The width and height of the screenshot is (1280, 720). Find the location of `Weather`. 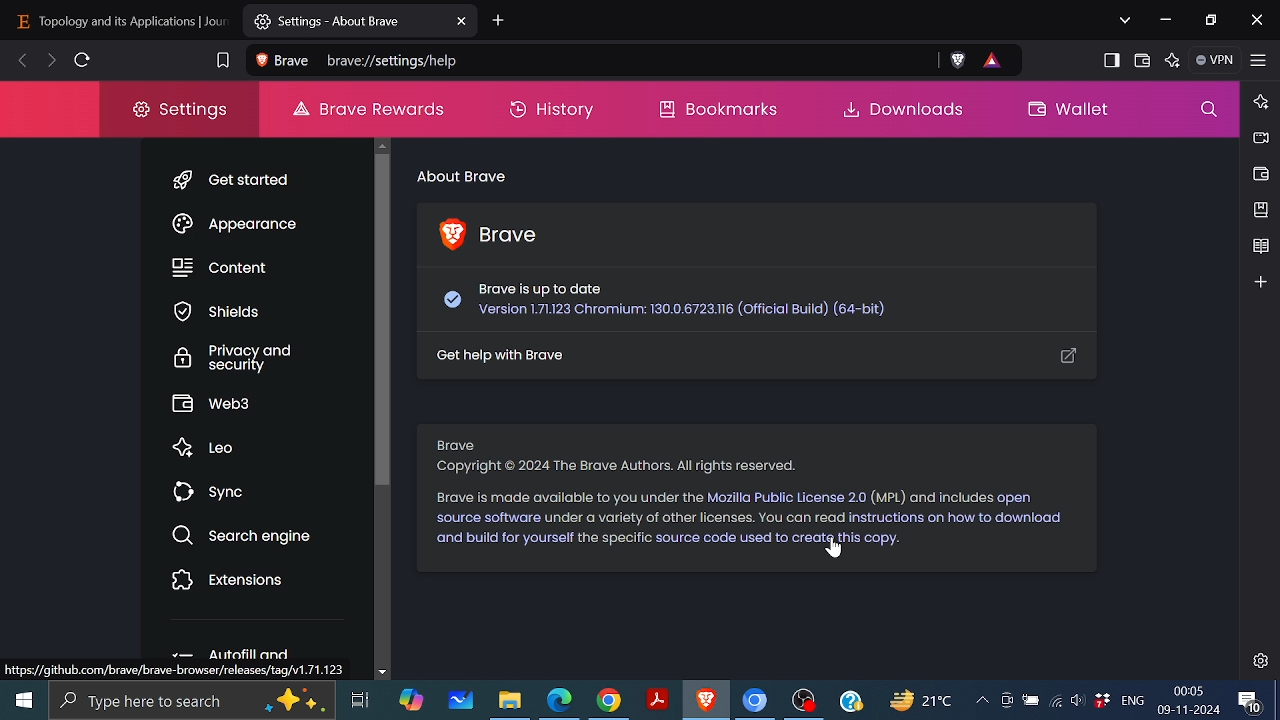

Weather is located at coordinates (914, 700).